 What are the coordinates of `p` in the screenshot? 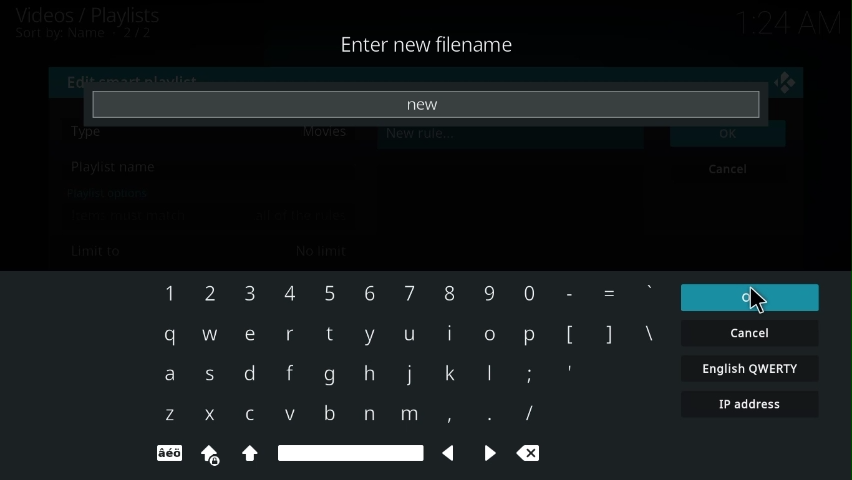 It's located at (527, 336).